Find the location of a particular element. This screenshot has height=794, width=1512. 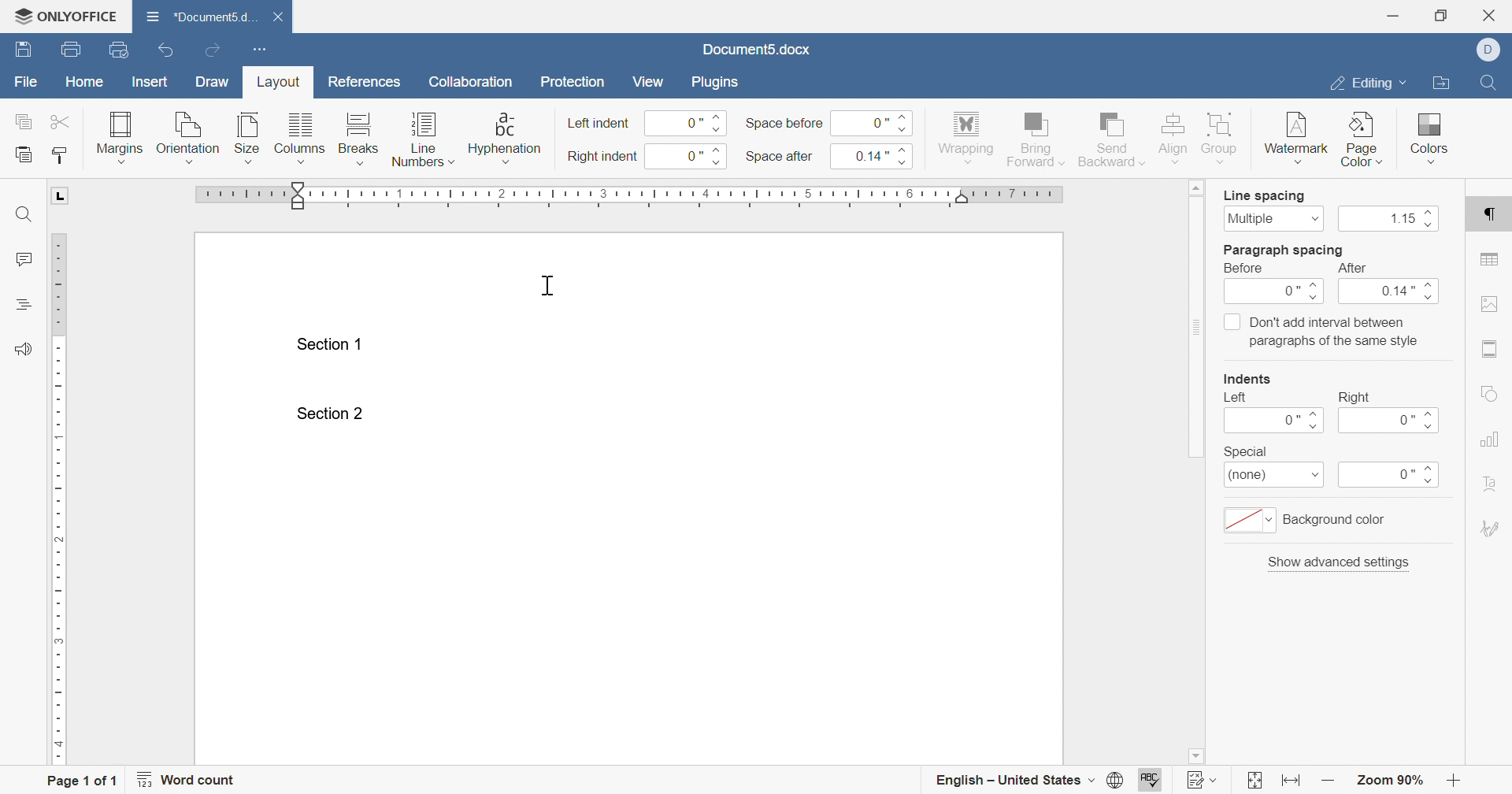

find is located at coordinates (26, 213).